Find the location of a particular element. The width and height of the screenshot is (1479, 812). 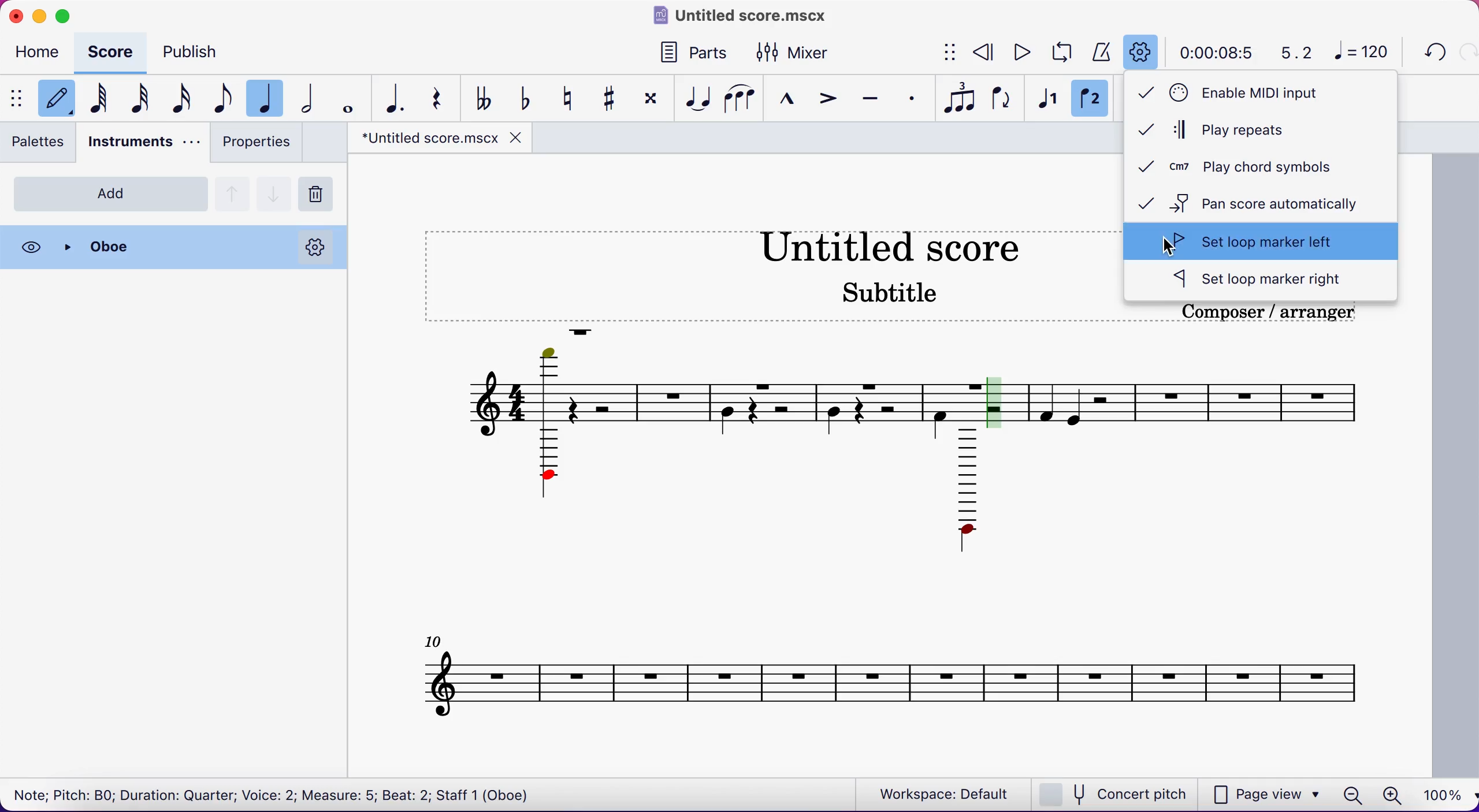

set loop marker right is located at coordinates (1261, 281).